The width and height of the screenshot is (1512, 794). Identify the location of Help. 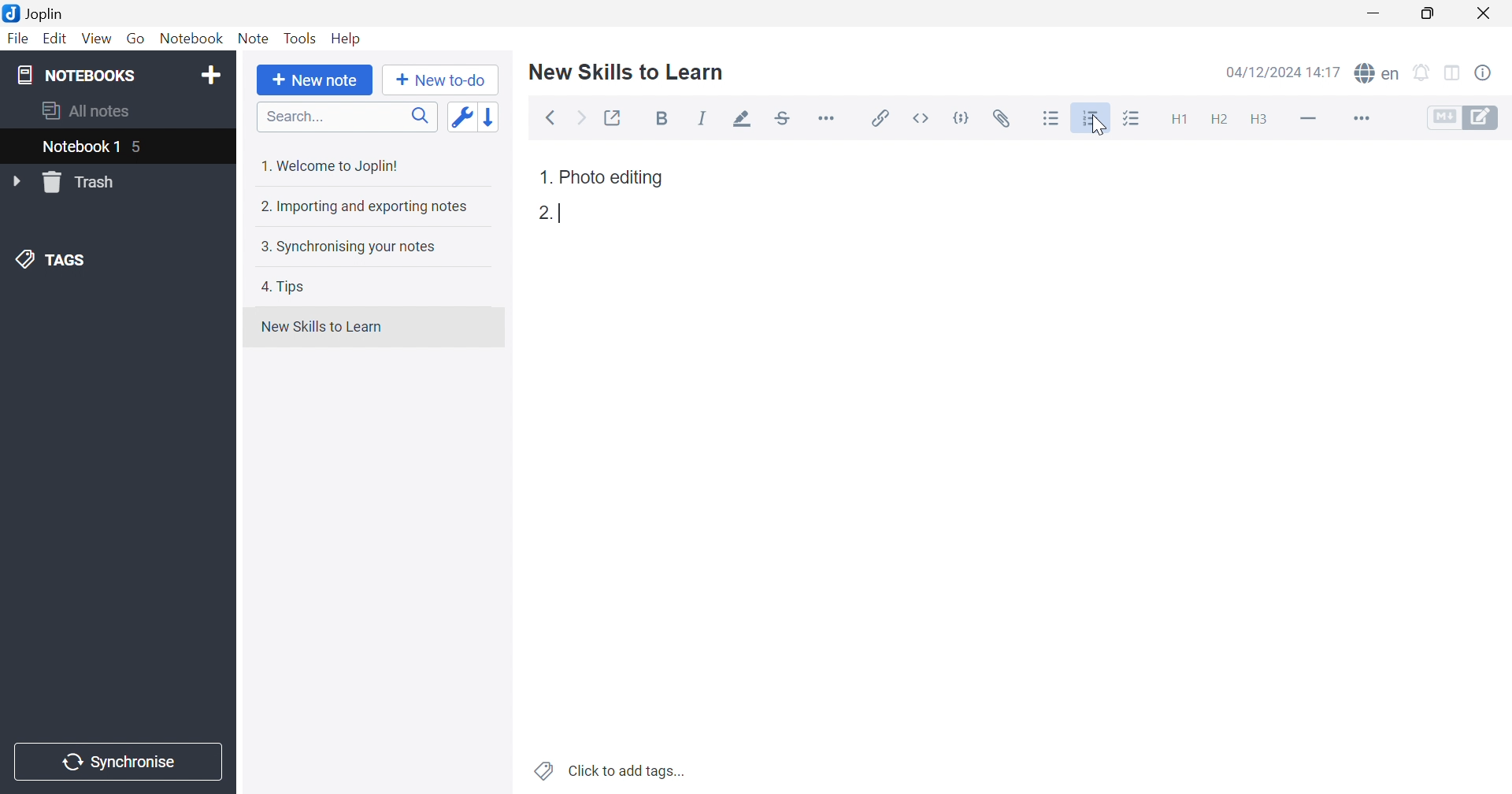
(347, 39).